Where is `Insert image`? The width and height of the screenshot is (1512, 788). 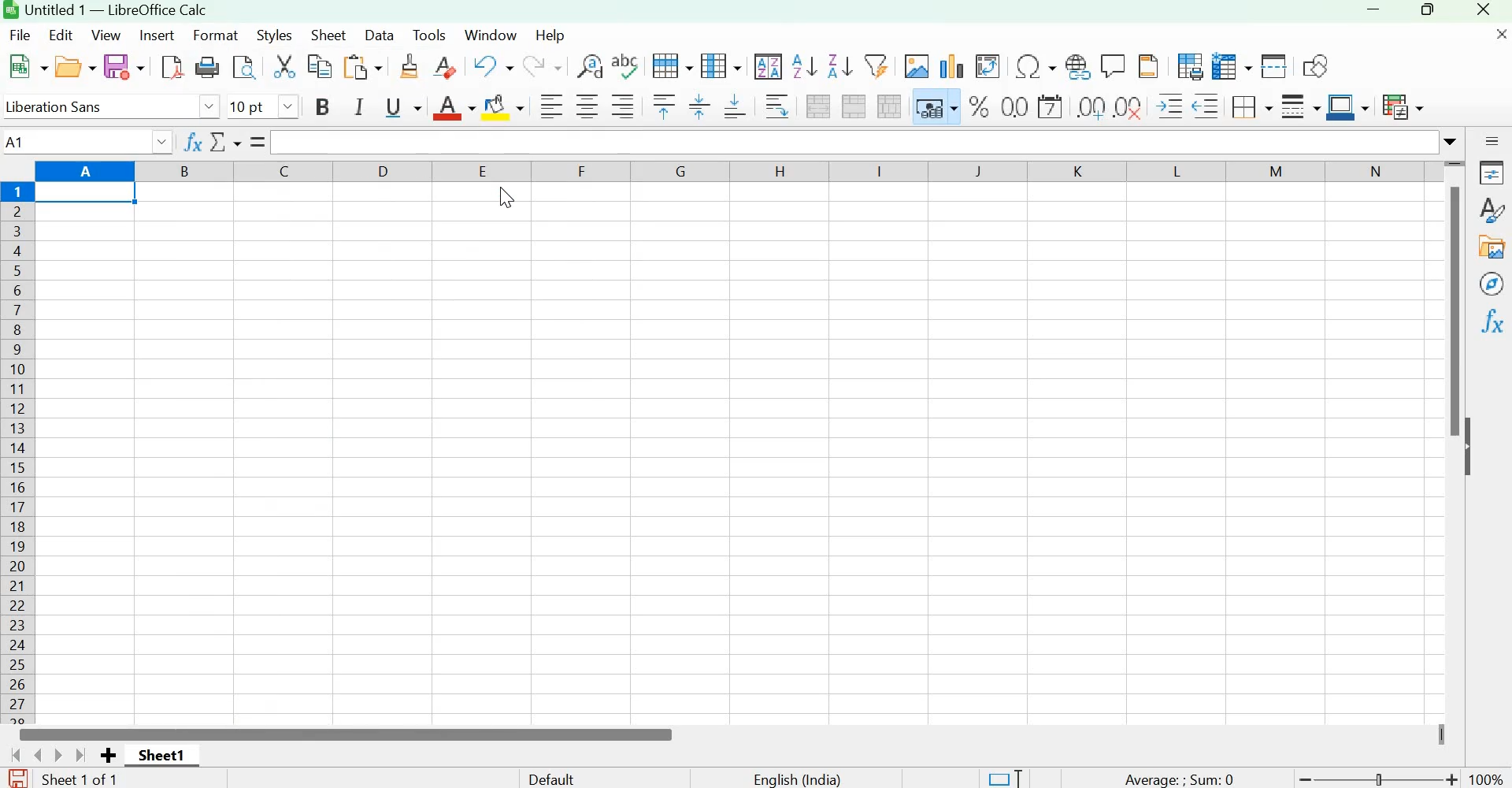 Insert image is located at coordinates (915, 65).